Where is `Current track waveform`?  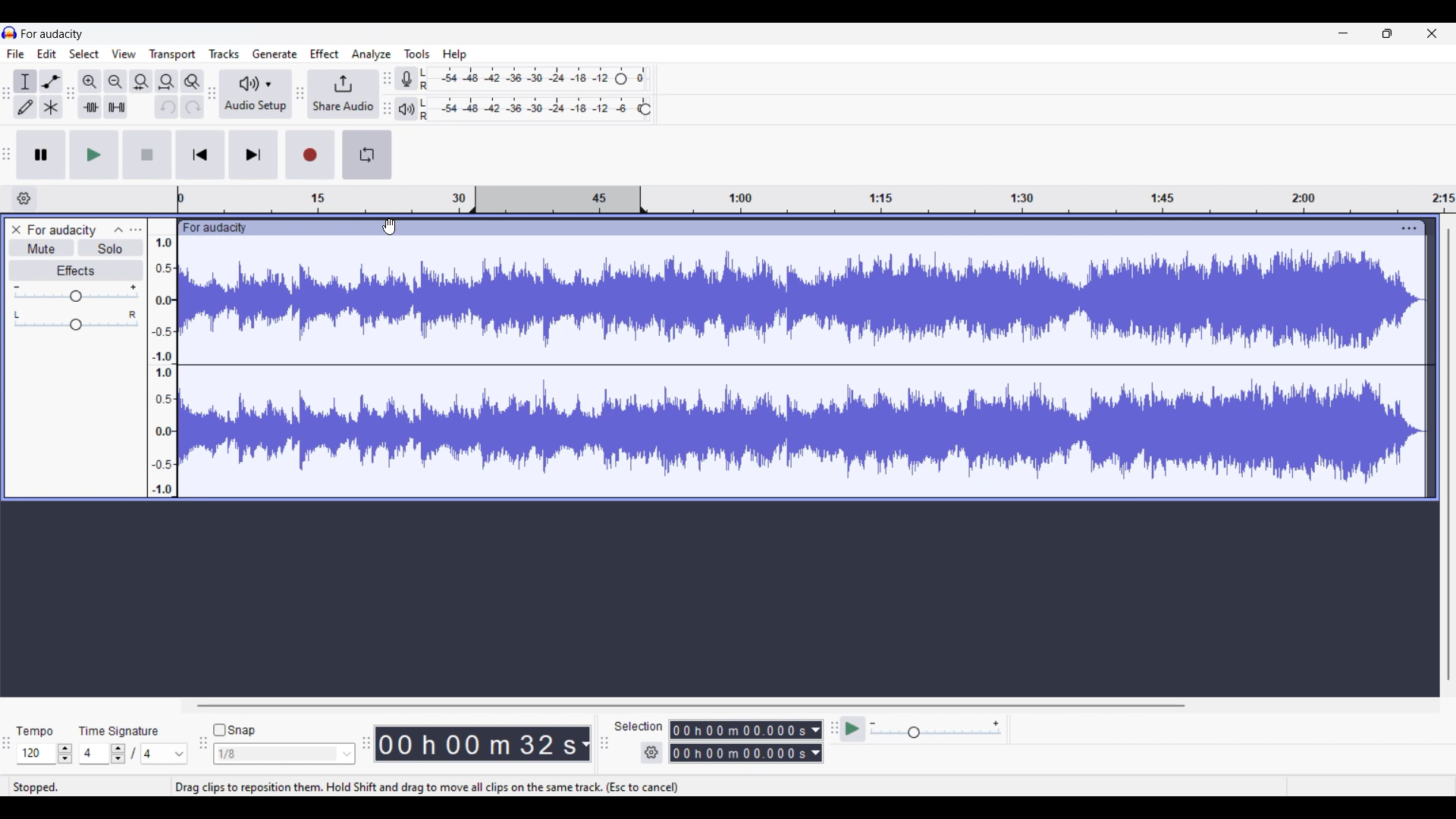 Current track waveform is located at coordinates (787, 367).